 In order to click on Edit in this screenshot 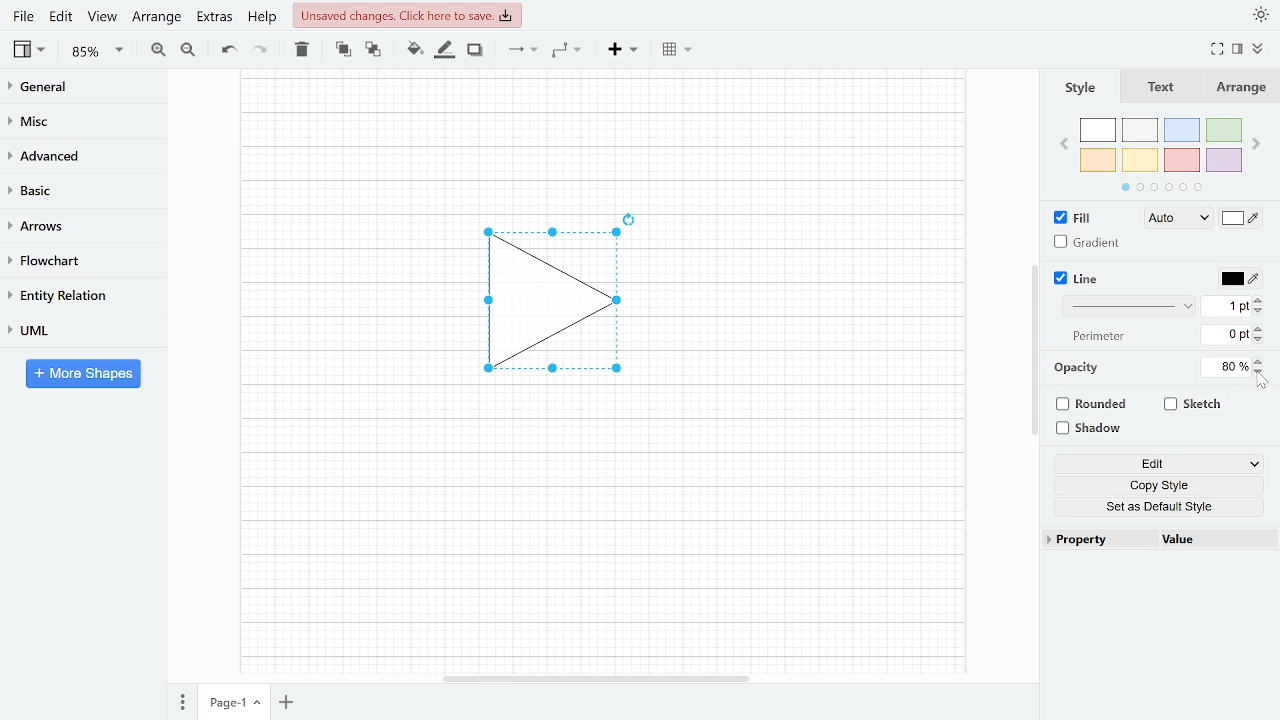, I will do `click(62, 16)`.